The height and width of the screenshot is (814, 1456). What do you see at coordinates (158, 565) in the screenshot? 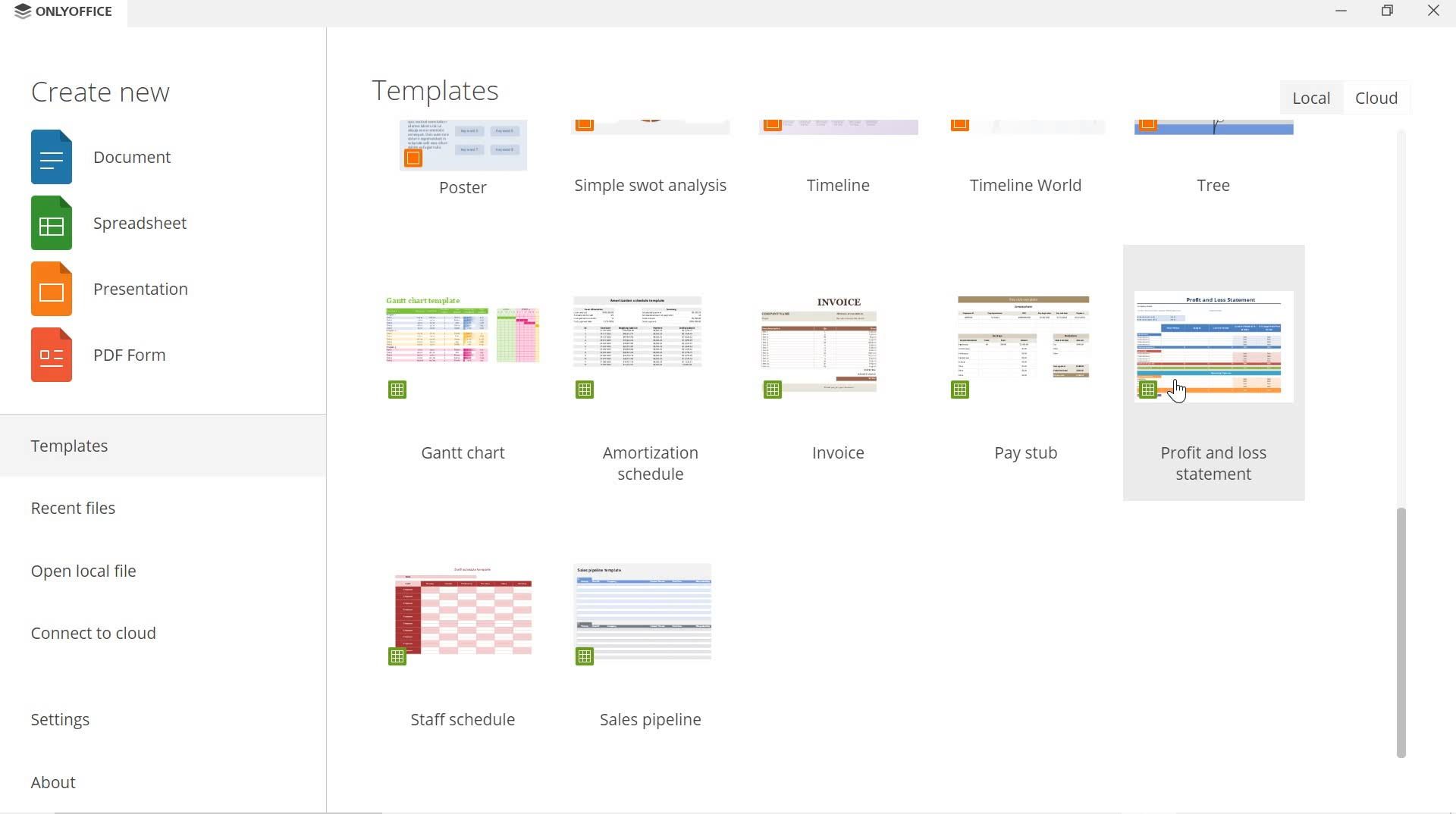
I see `open local file` at bounding box center [158, 565].